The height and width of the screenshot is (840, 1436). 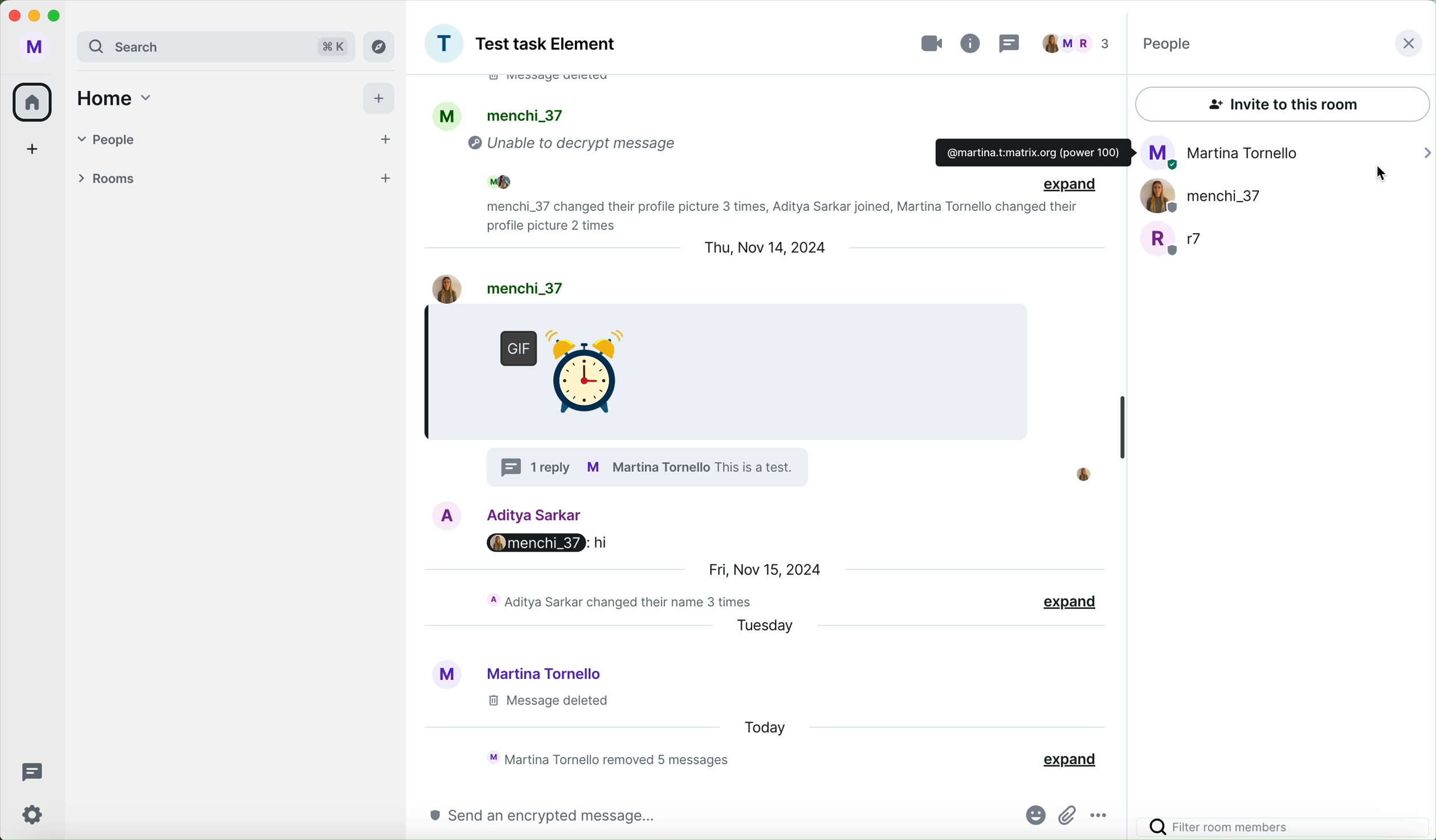 What do you see at coordinates (448, 115) in the screenshot?
I see `profile` at bounding box center [448, 115].